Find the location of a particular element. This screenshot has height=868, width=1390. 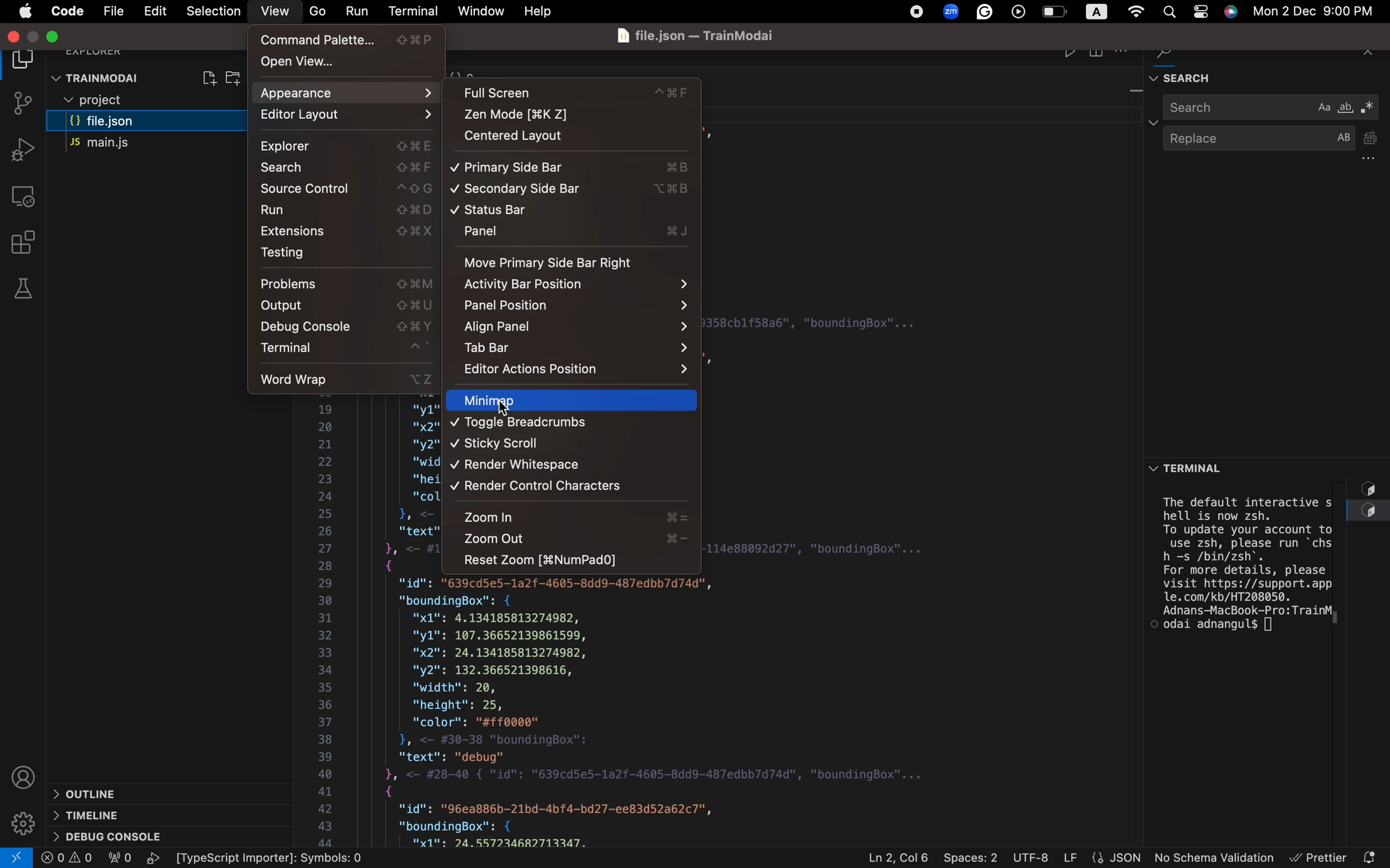

maximize is located at coordinates (36, 36).